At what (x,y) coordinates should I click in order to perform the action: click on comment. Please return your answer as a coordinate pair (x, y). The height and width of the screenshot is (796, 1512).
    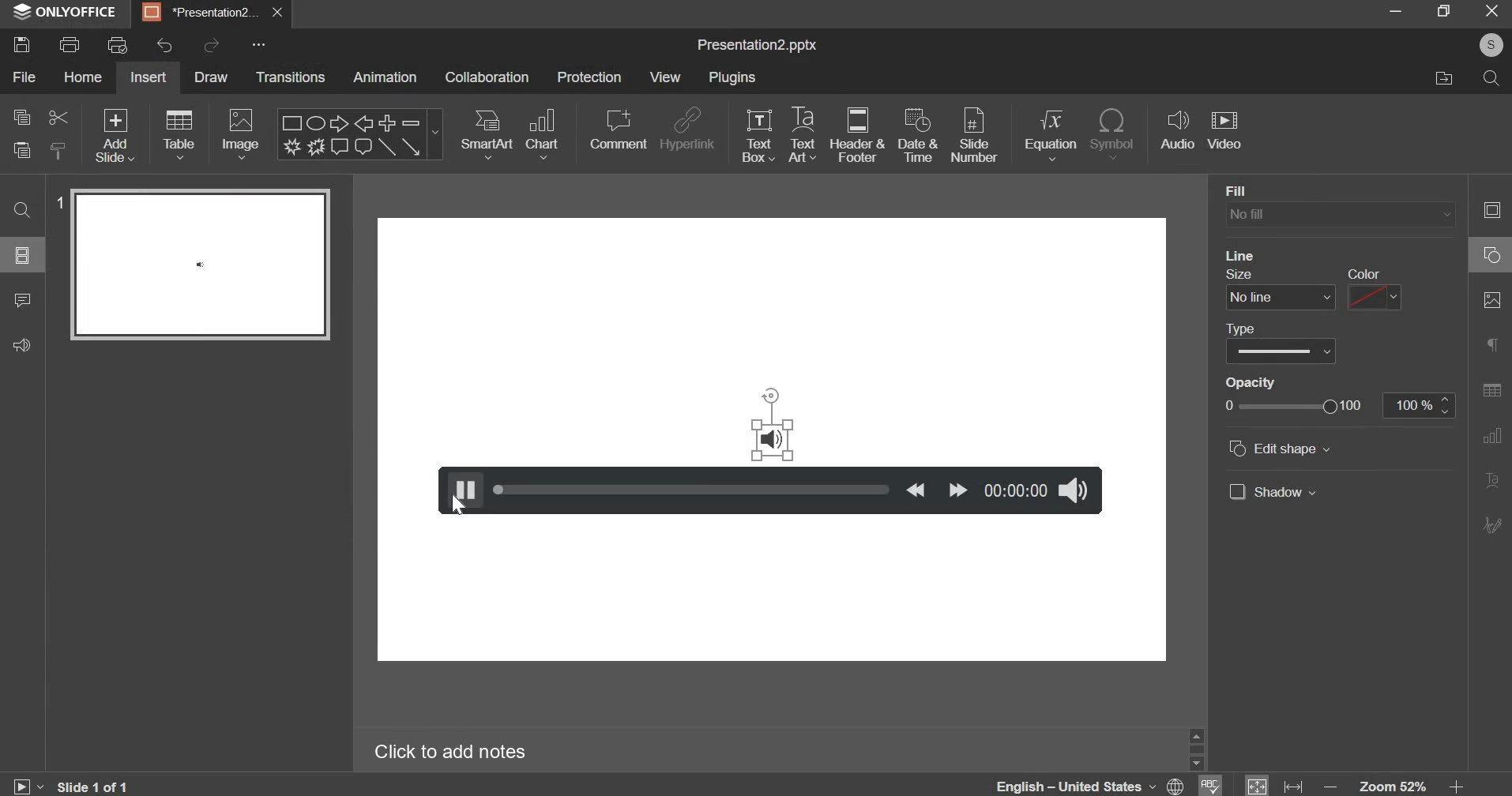
    Looking at the image, I should click on (619, 125).